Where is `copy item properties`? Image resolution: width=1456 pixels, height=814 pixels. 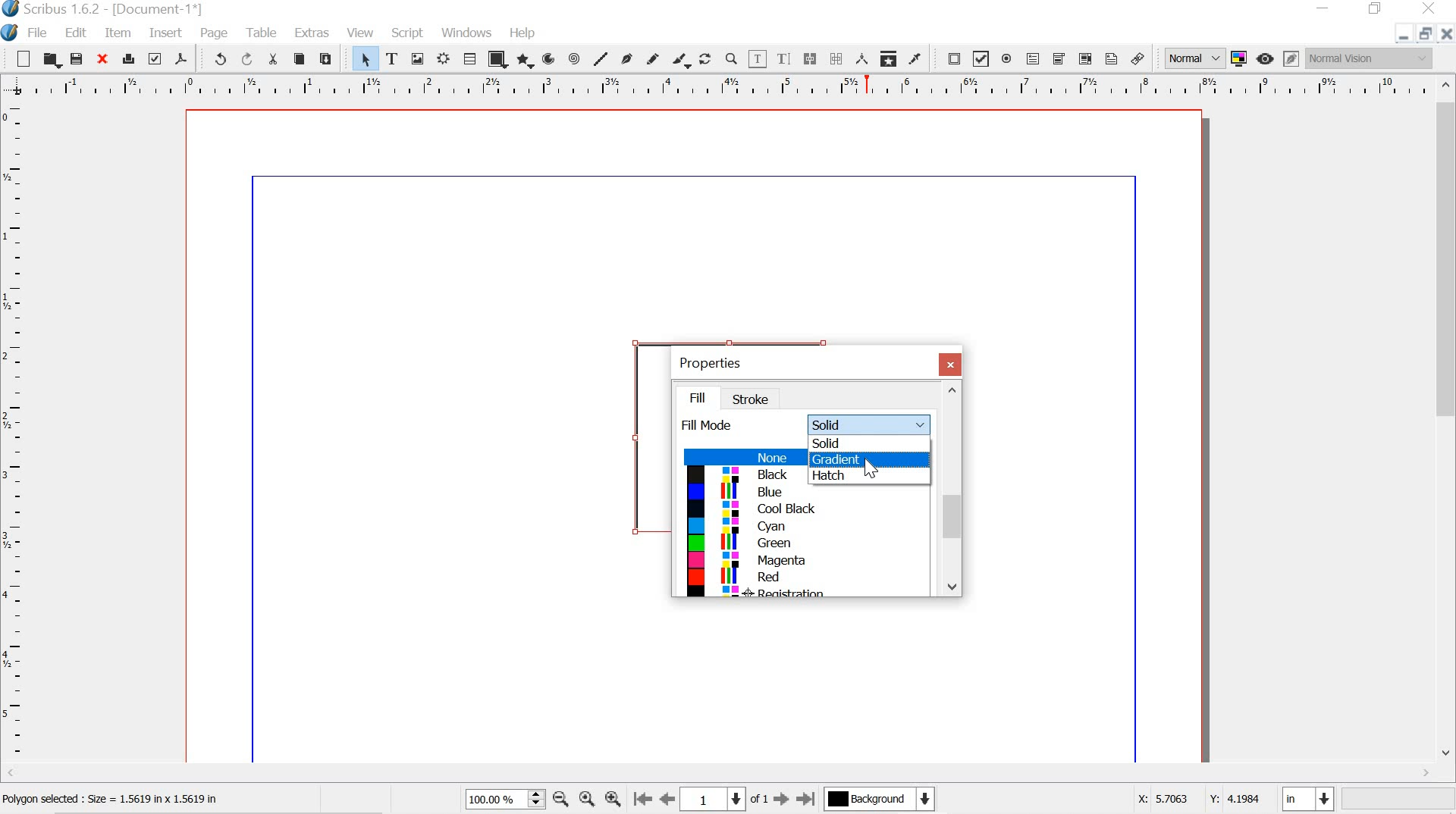
copy item properties is located at coordinates (887, 58).